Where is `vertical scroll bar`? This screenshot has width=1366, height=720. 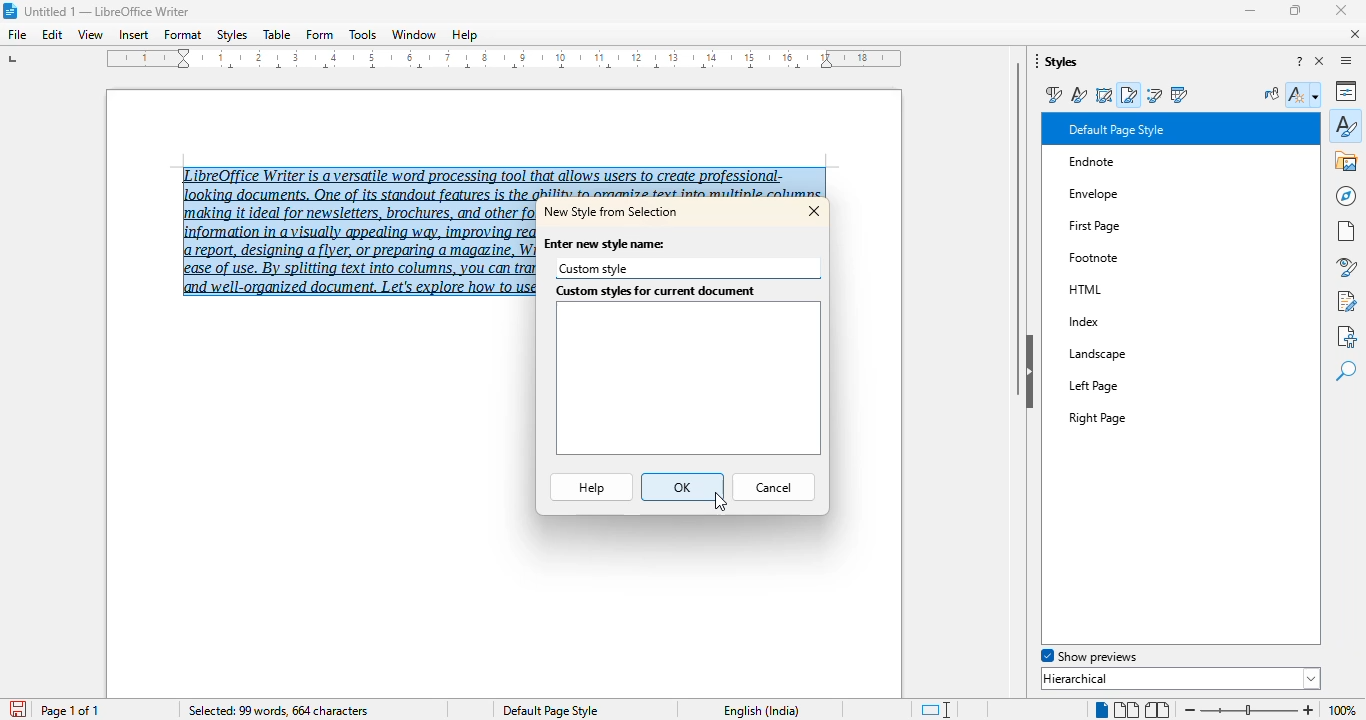 vertical scroll bar is located at coordinates (1019, 228).